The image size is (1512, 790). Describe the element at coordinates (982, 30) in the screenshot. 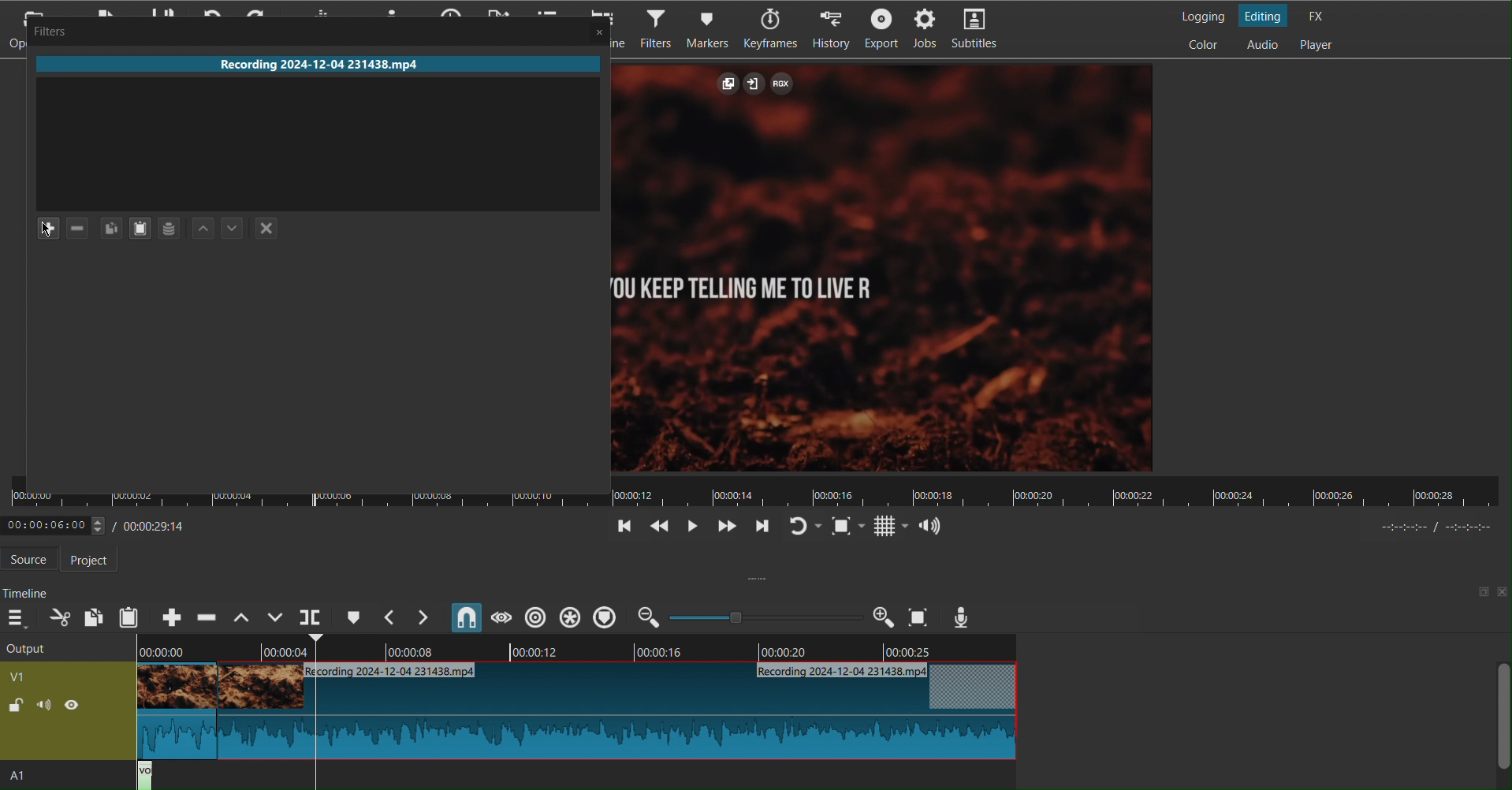

I see `Subtitles` at that location.